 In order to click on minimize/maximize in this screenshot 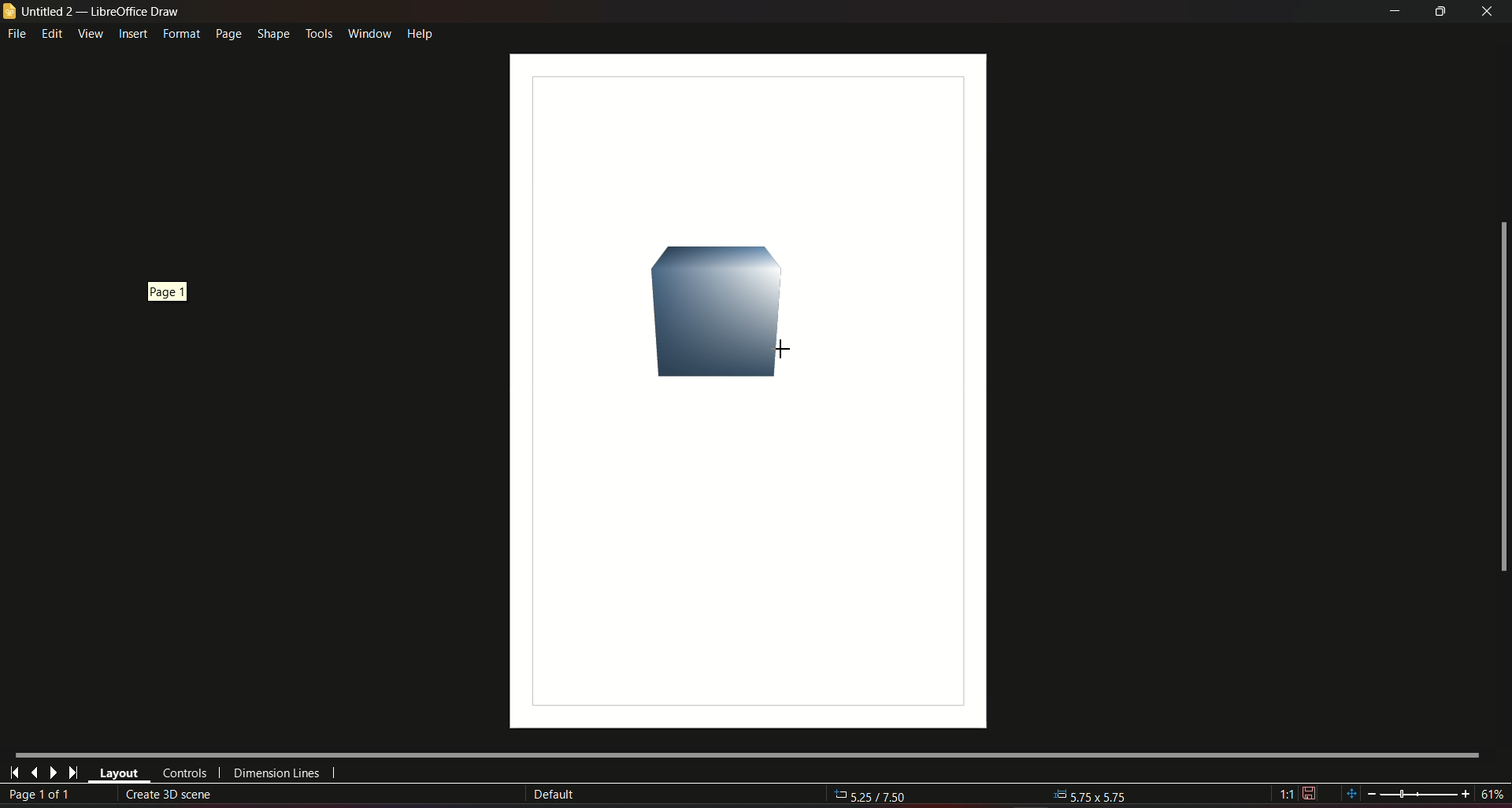, I will do `click(1440, 12)`.